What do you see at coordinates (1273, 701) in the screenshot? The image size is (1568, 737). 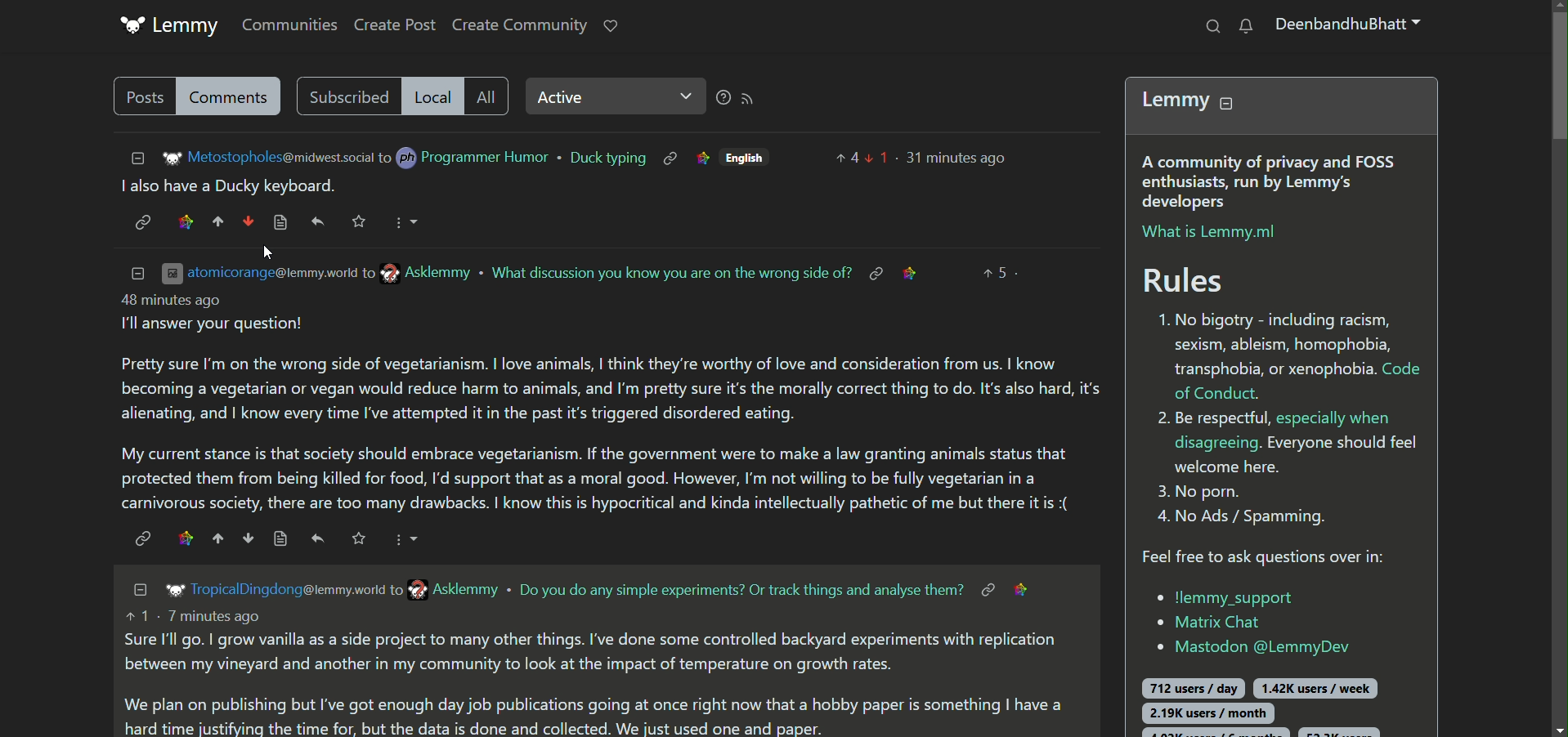 I see `user stats` at bounding box center [1273, 701].